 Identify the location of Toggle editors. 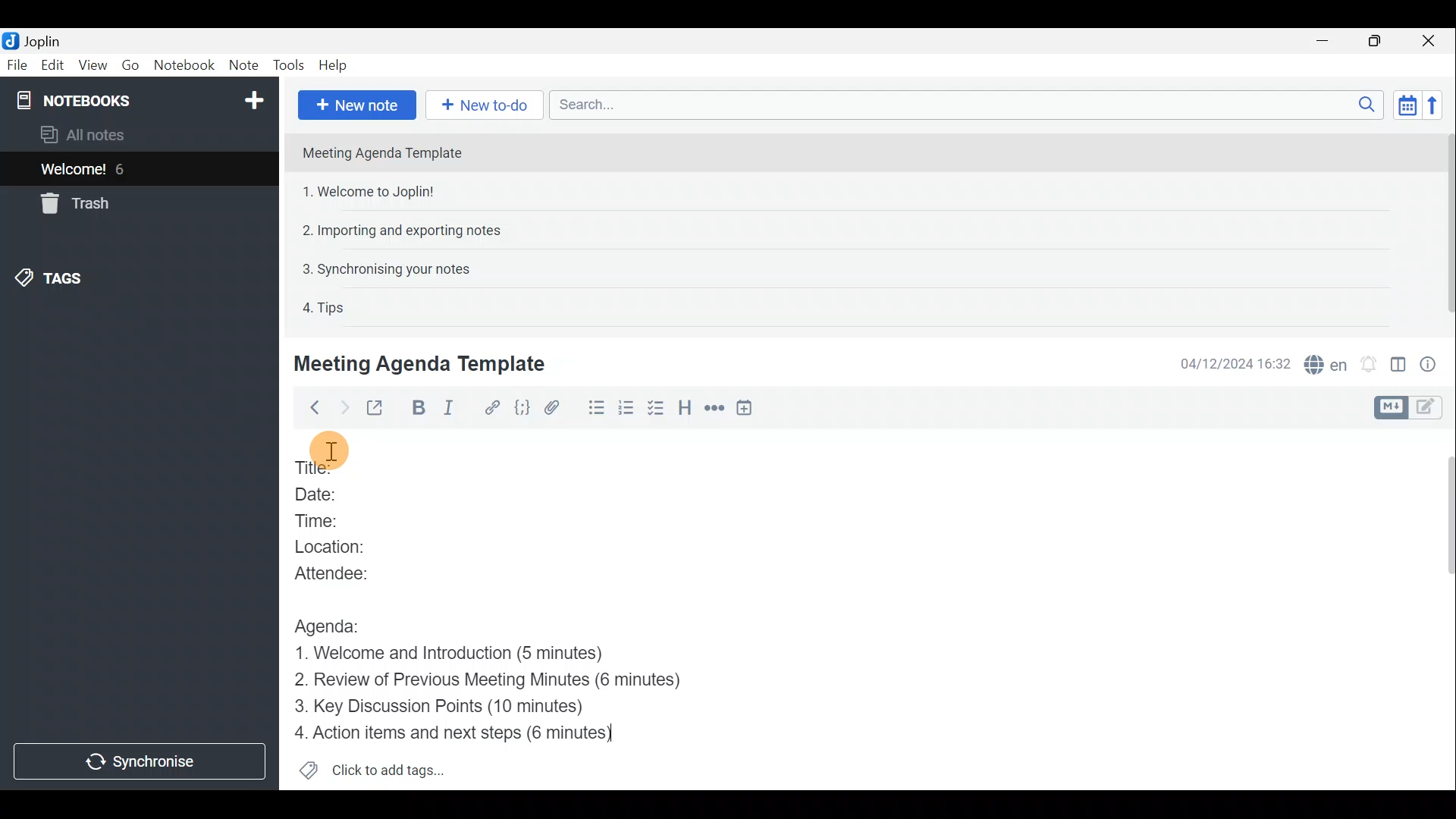
(1389, 408).